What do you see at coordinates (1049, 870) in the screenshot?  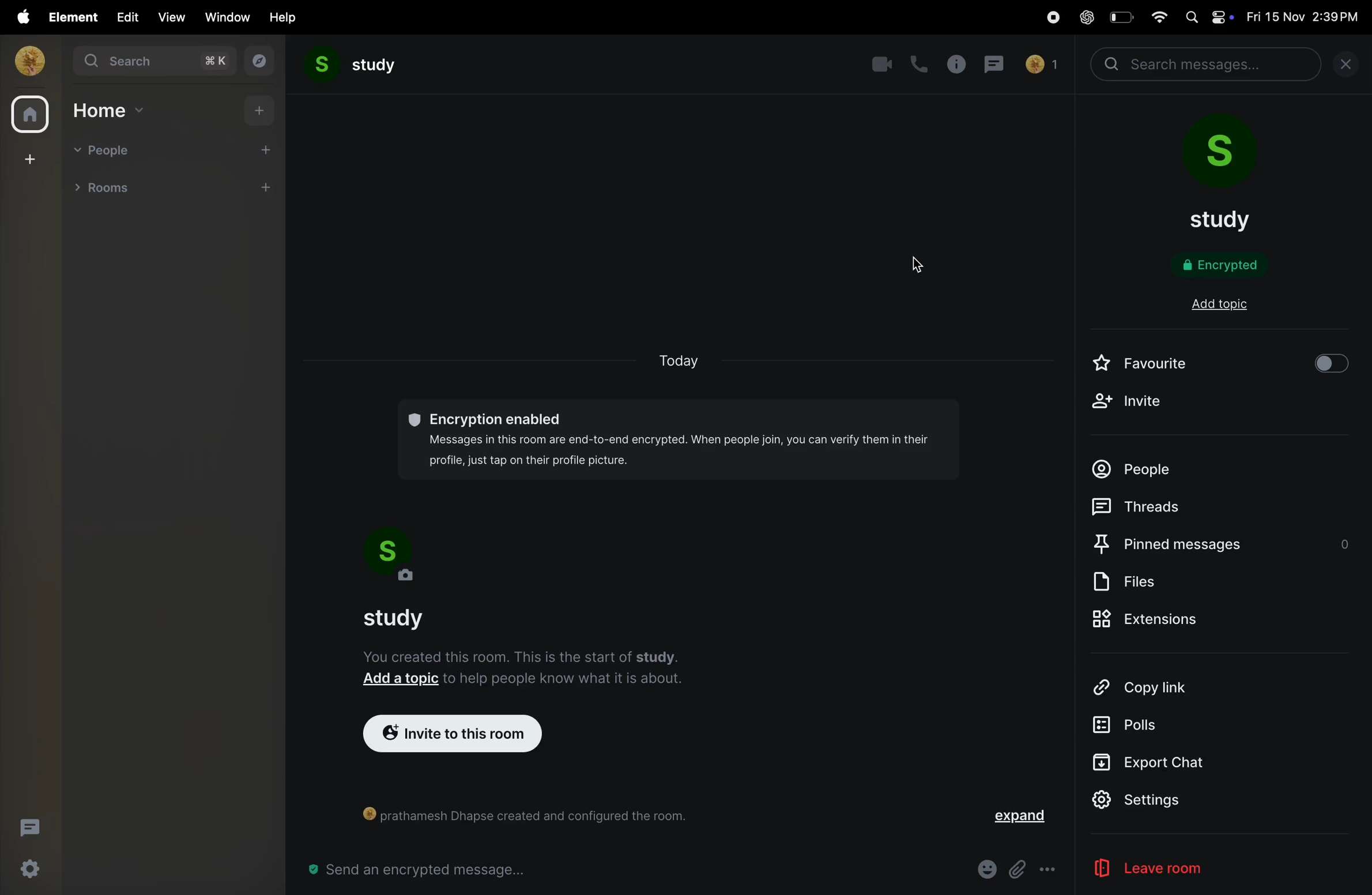 I see `more options` at bounding box center [1049, 870].